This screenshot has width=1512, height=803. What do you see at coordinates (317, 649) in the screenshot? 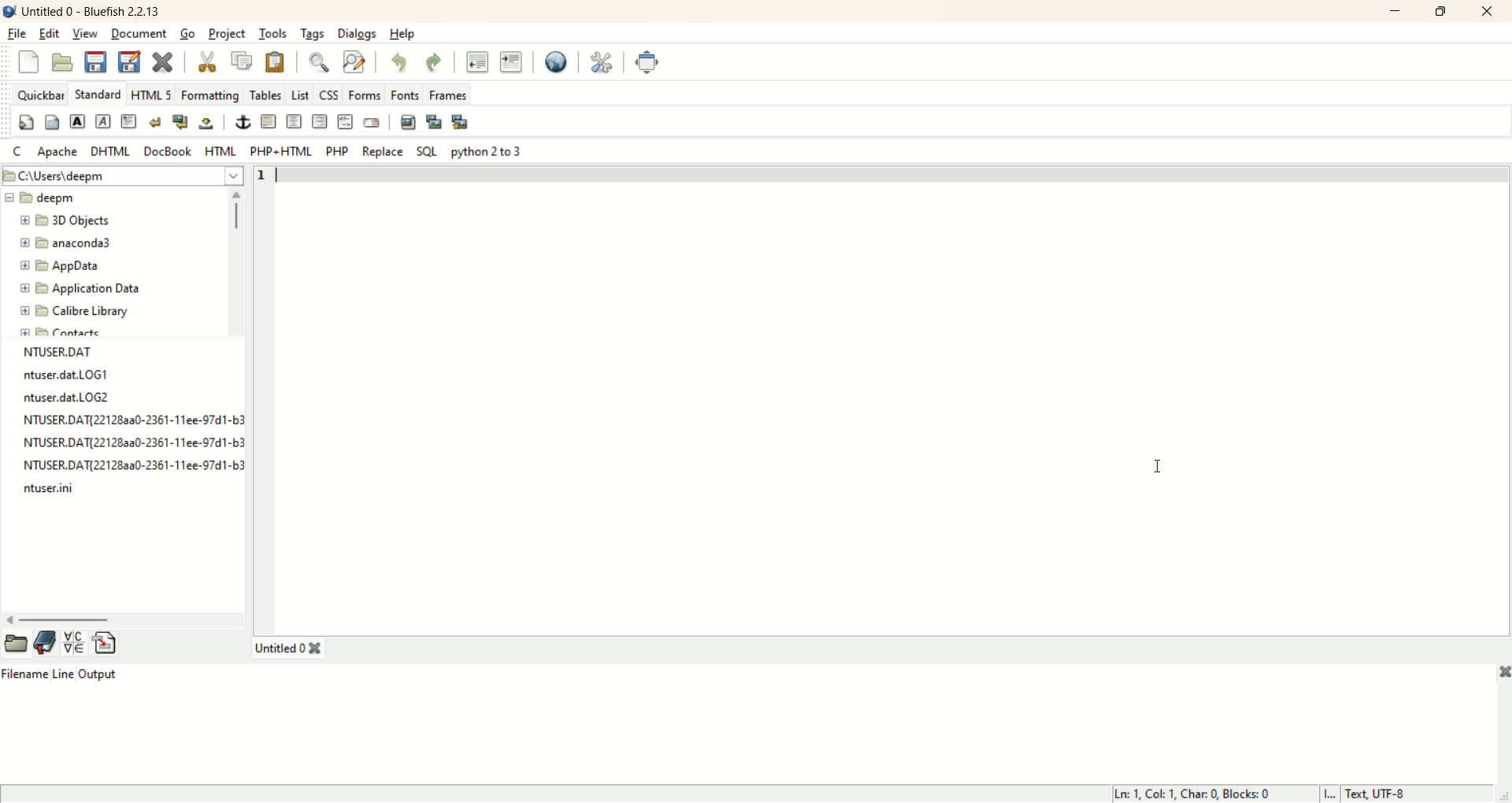
I see `close` at bounding box center [317, 649].